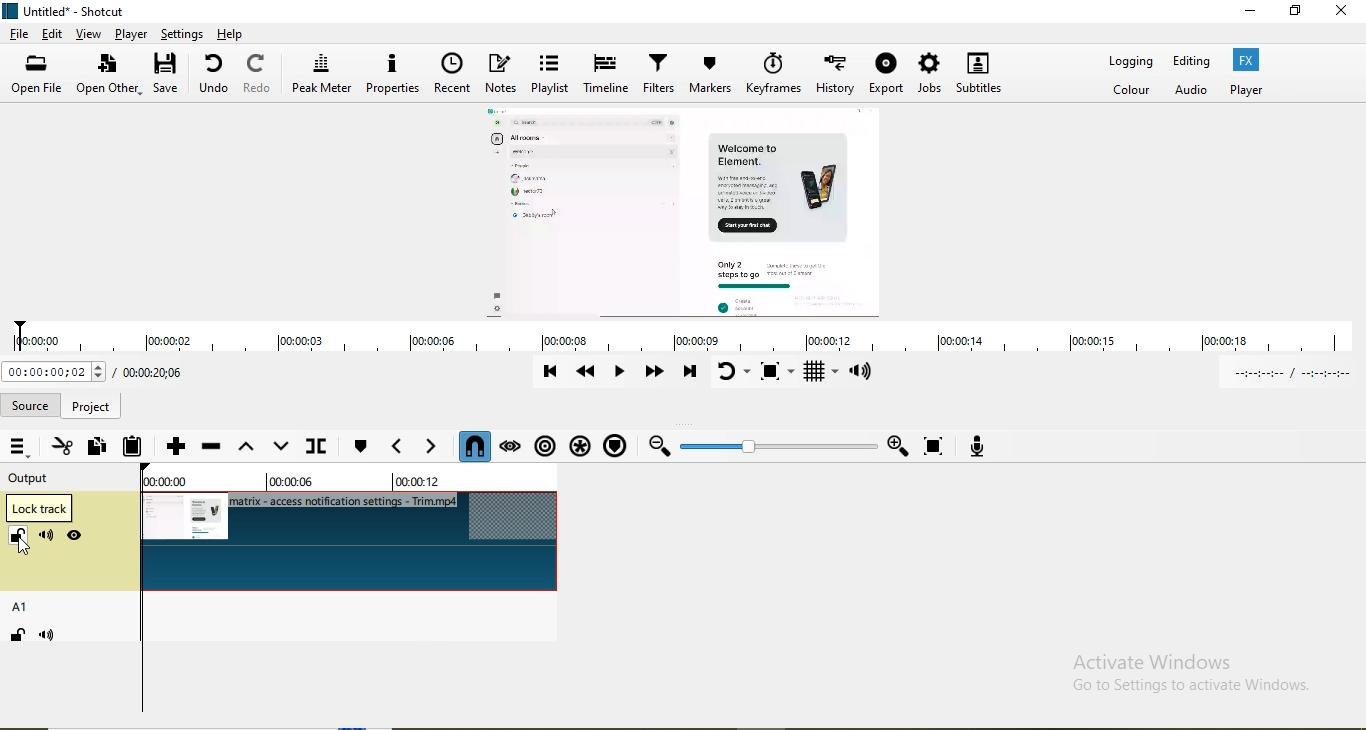 This screenshot has width=1366, height=730. Describe the element at coordinates (232, 34) in the screenshot. I see `help` at that location.